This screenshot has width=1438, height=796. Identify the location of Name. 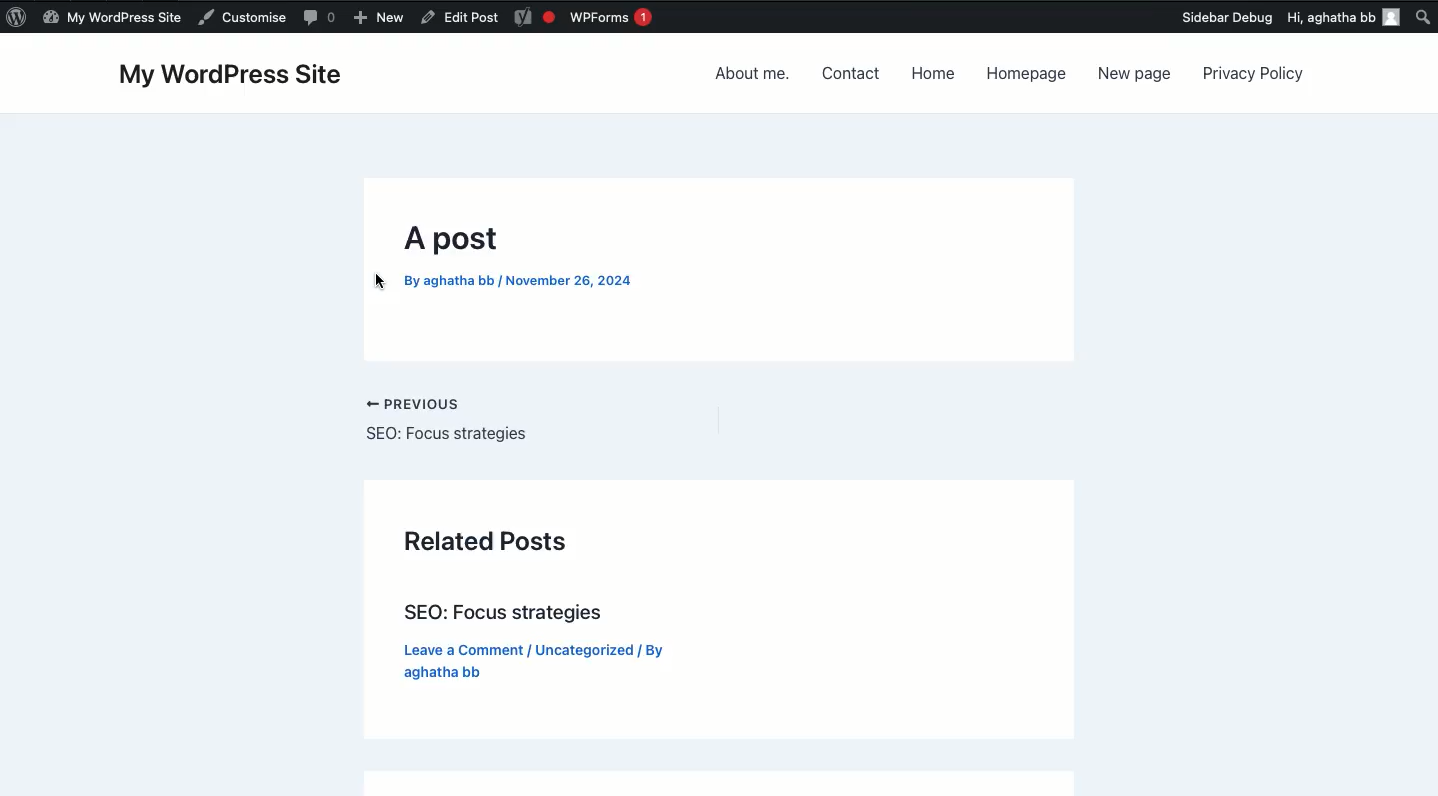
(110, 18).